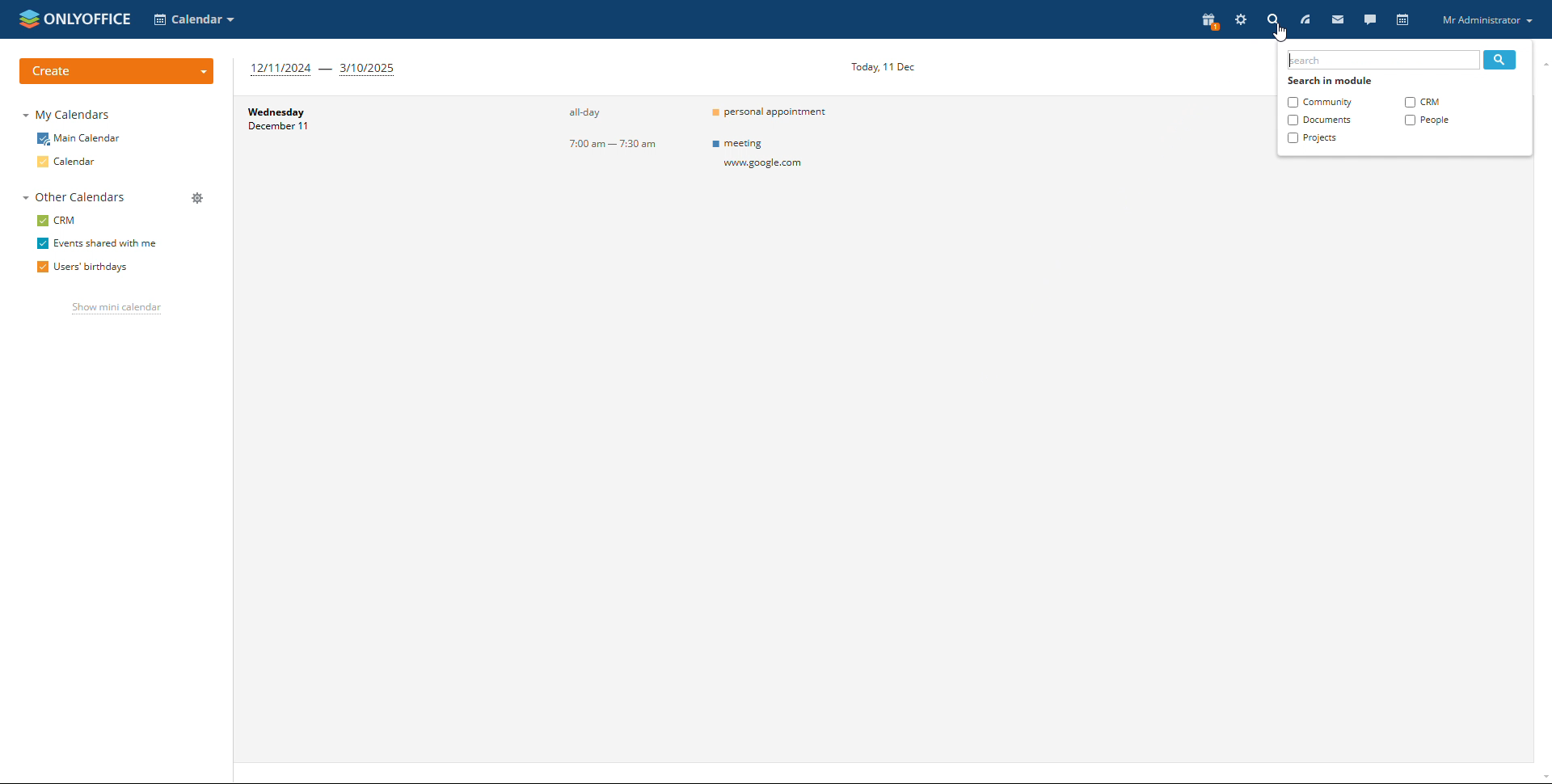  I want to click on profile, so click(1486, 19).